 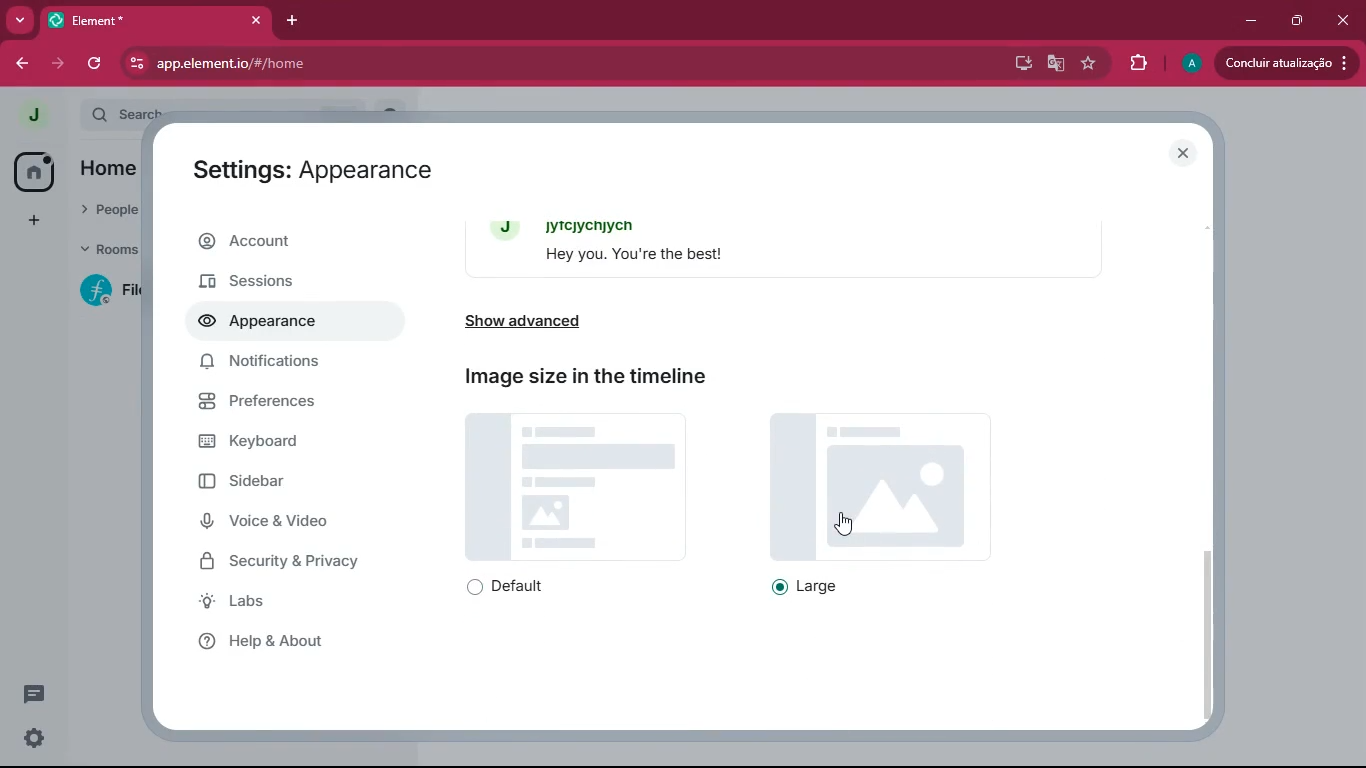 I want to click on Element*, so click(x=143, y=19).